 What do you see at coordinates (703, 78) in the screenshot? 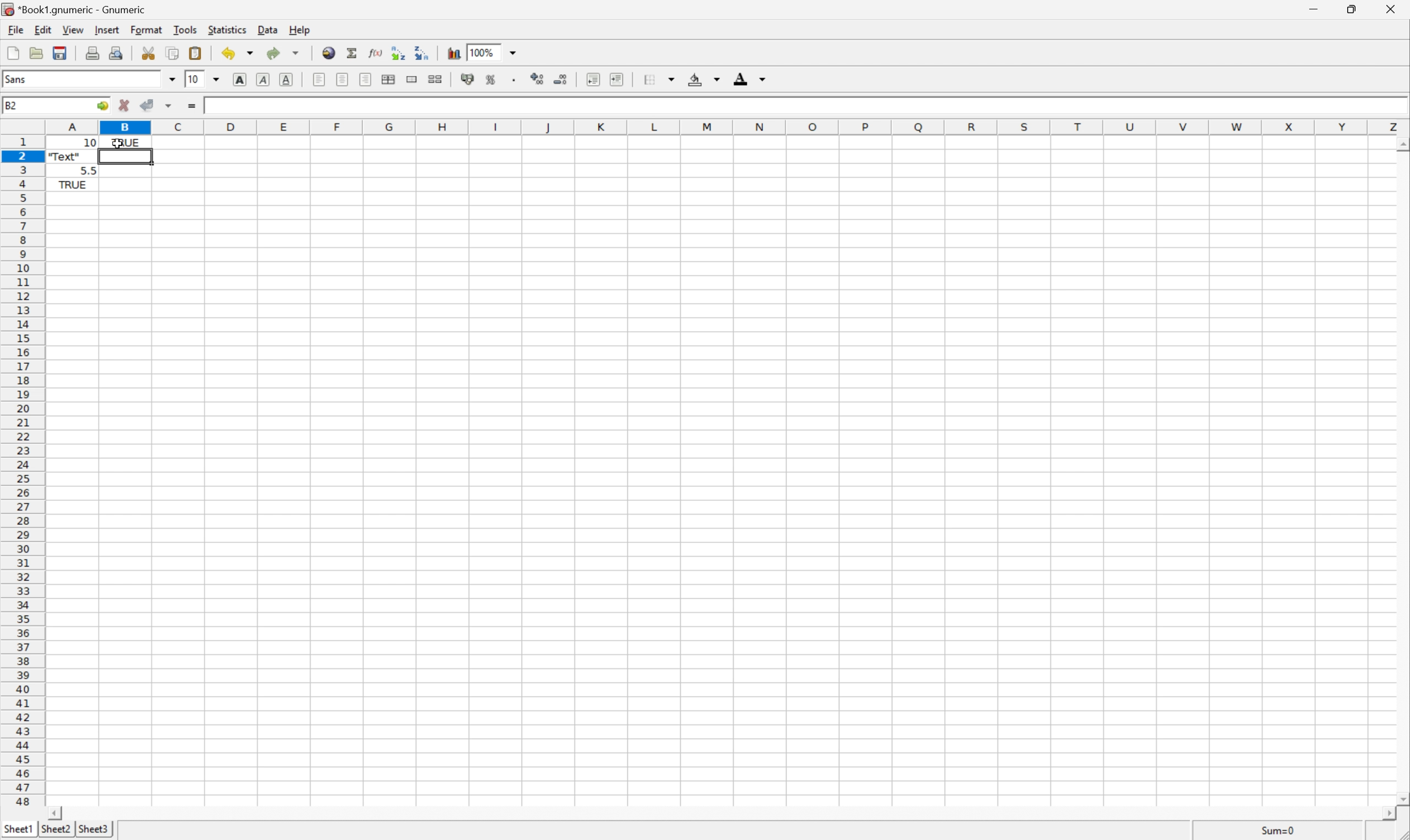
I see `Background` at bounding box center [703, 78].